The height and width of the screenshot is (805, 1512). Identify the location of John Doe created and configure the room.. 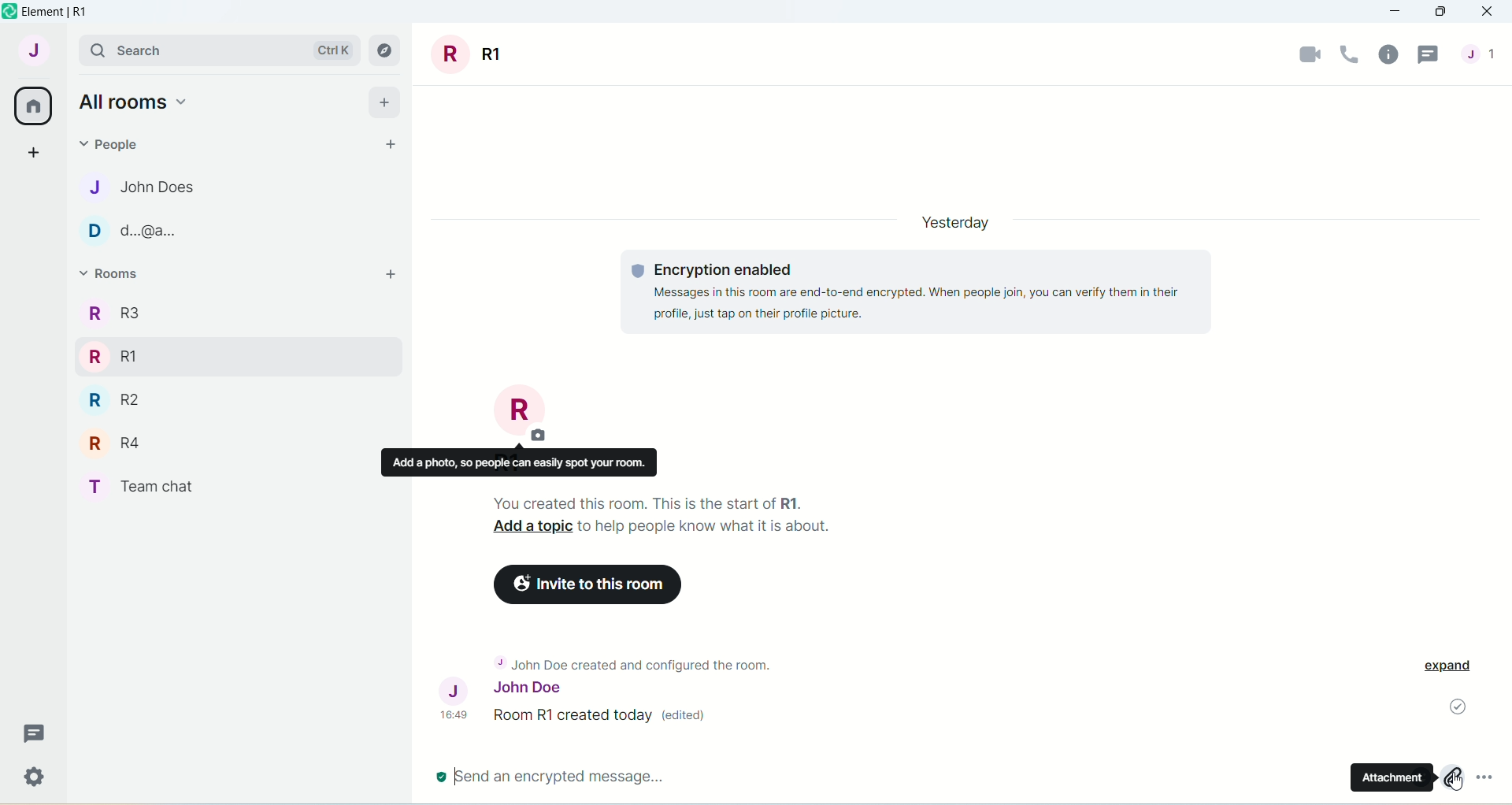
(635, 663).